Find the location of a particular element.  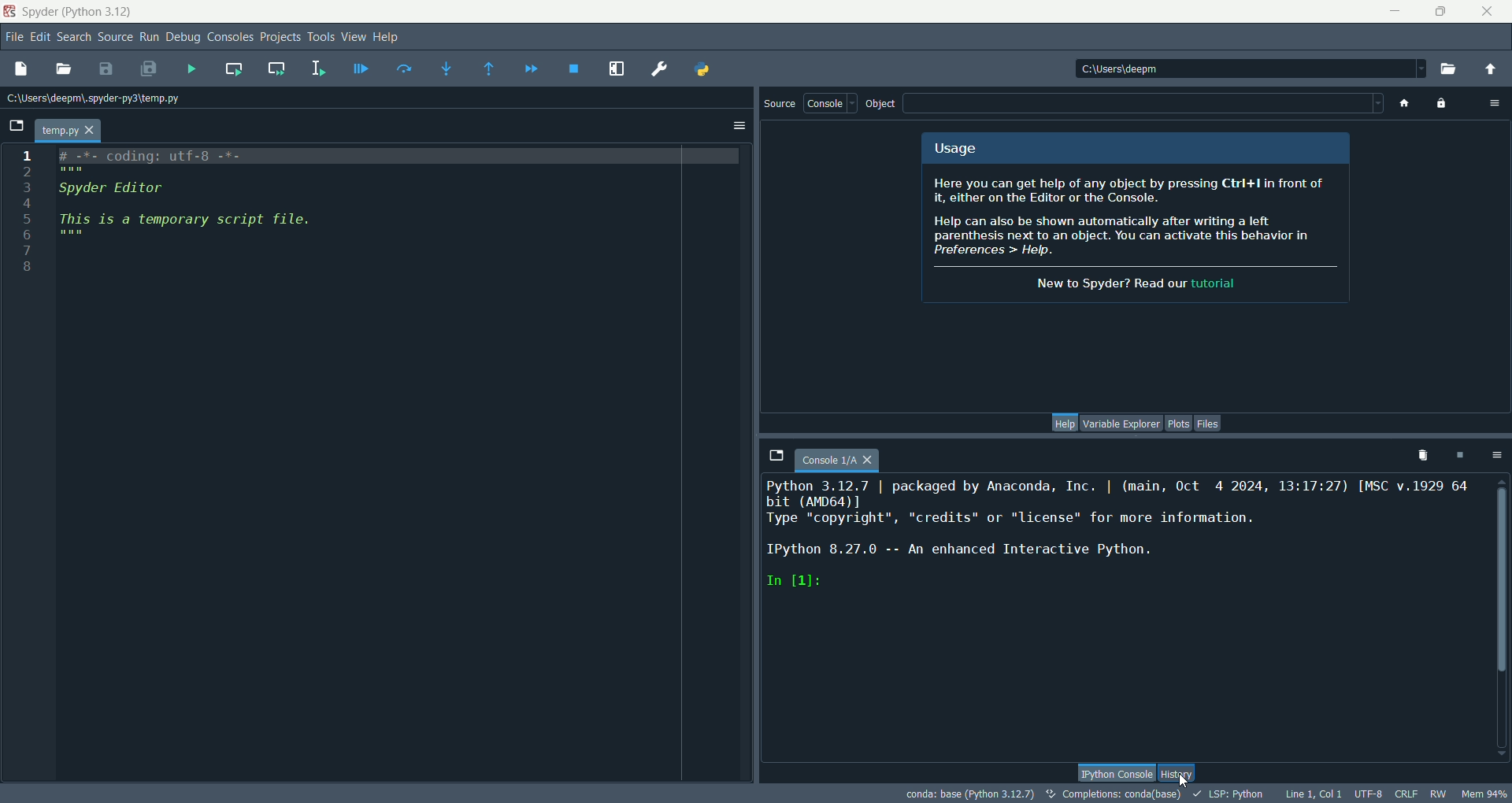

options is located at coordinates (1498, 455).